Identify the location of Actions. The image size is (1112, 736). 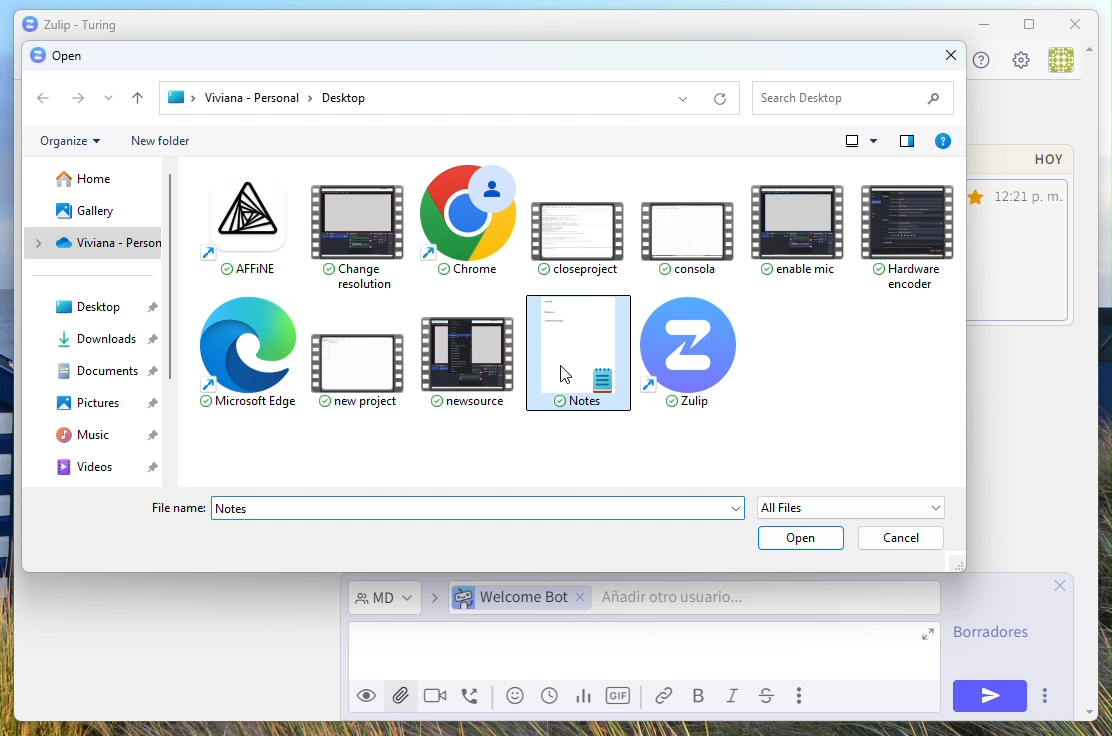
(89, 100).